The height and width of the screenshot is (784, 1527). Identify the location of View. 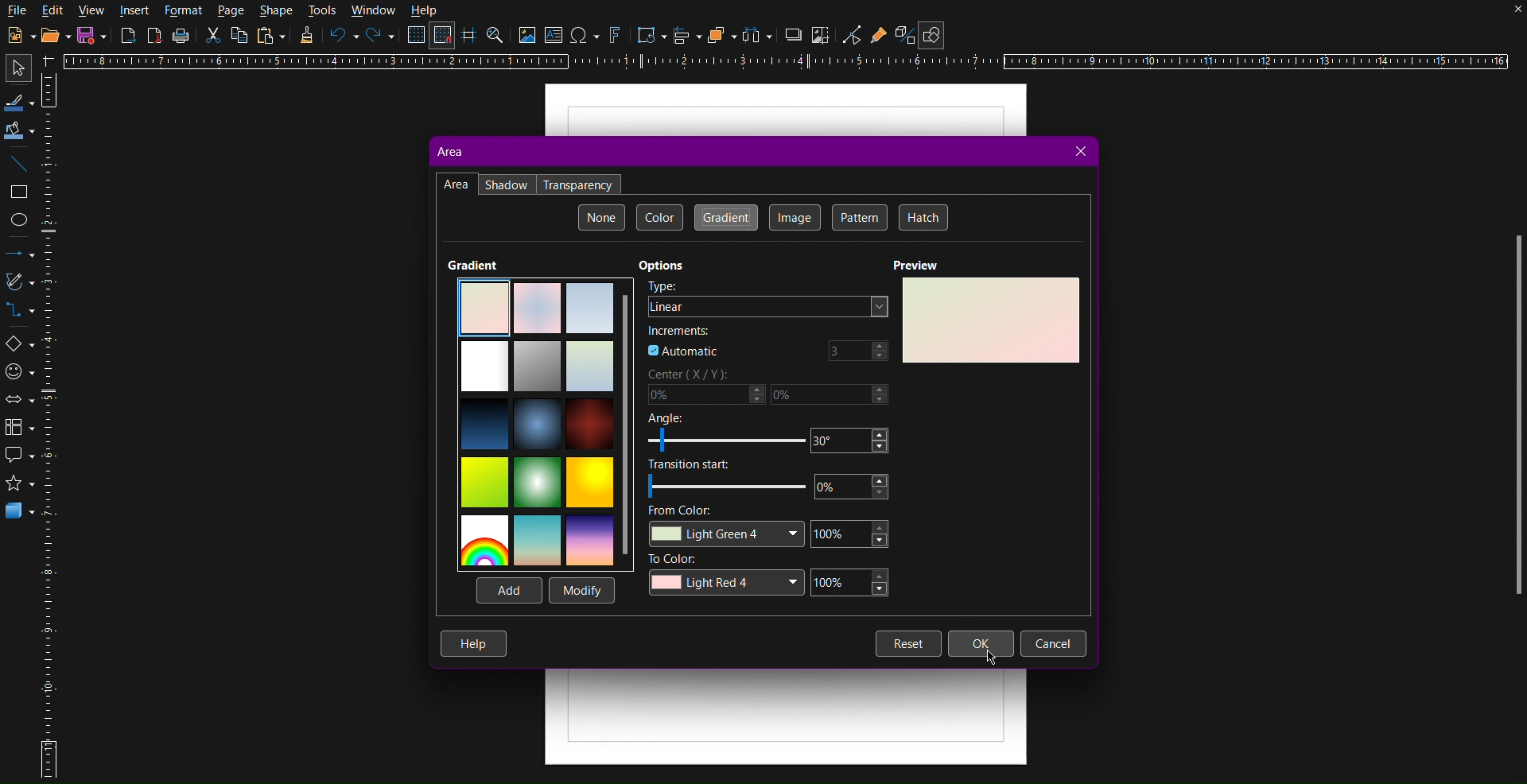
(94, 11).